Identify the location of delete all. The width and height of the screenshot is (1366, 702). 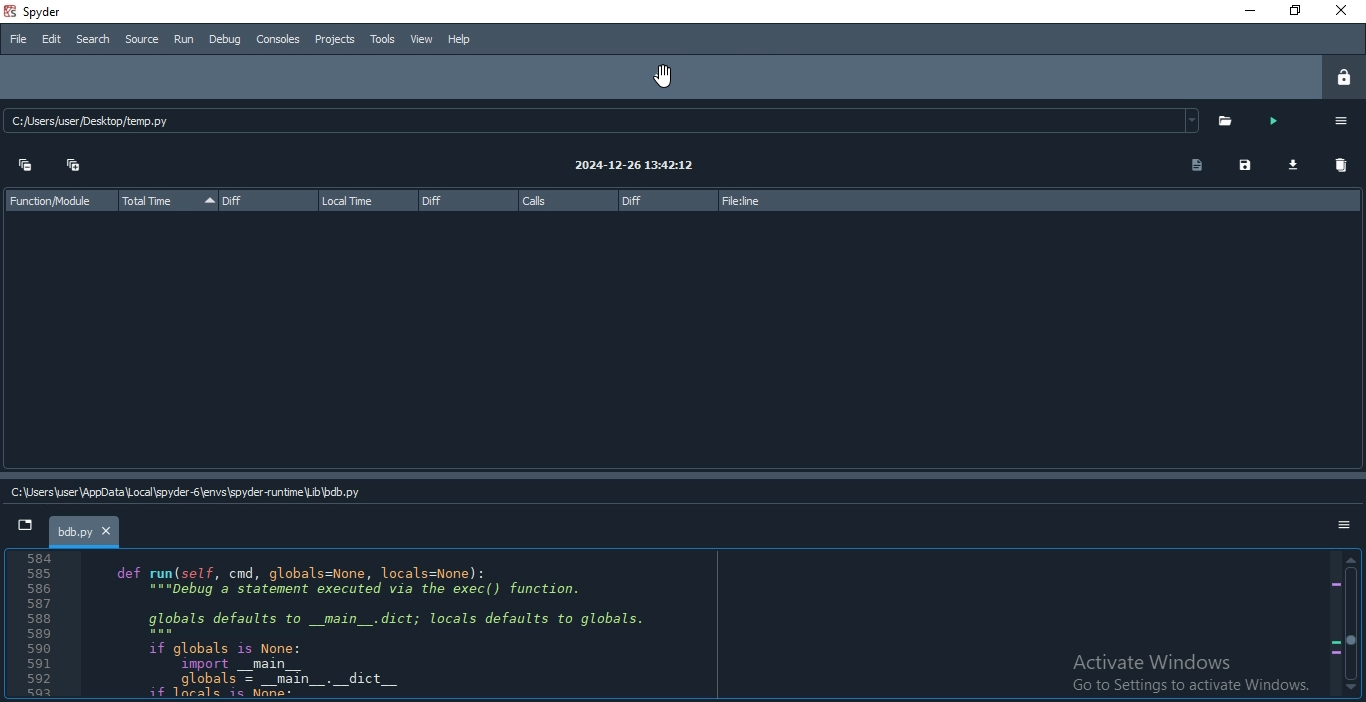
(1339, 163).